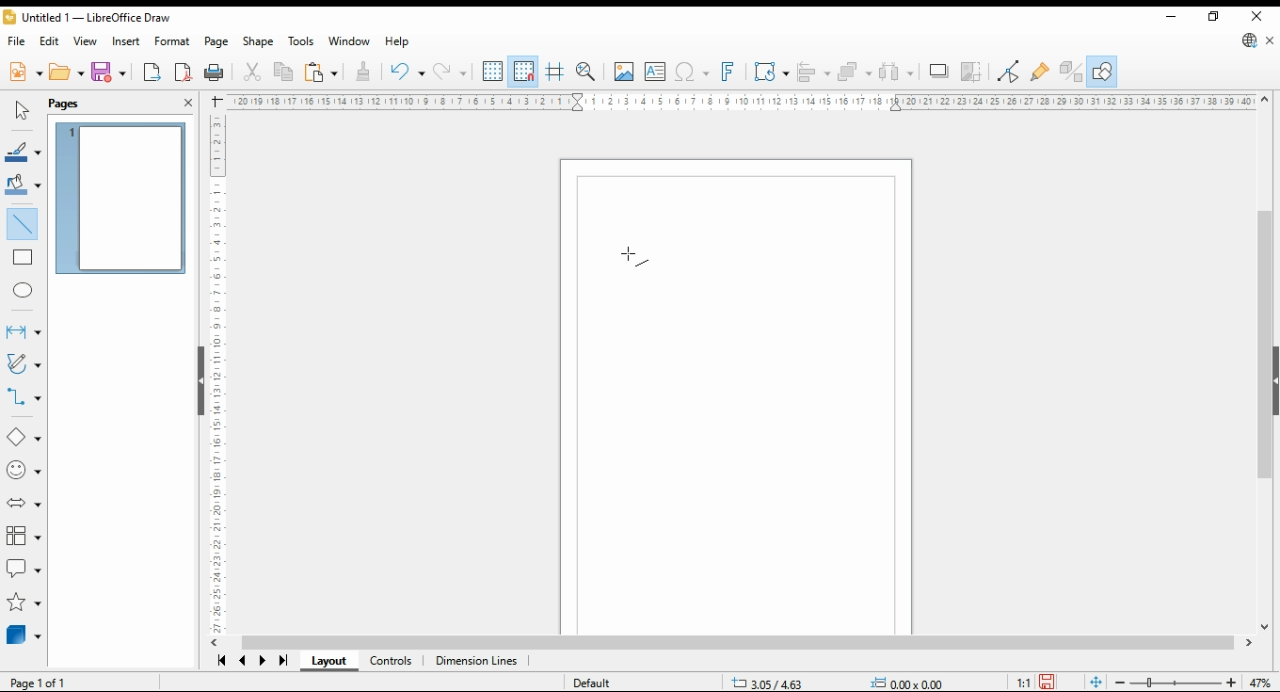 The height and width of the screenshot is (692, 1280). Describe the element at coordinates (258, 42) in the screenshot. I see `shape` at that location.